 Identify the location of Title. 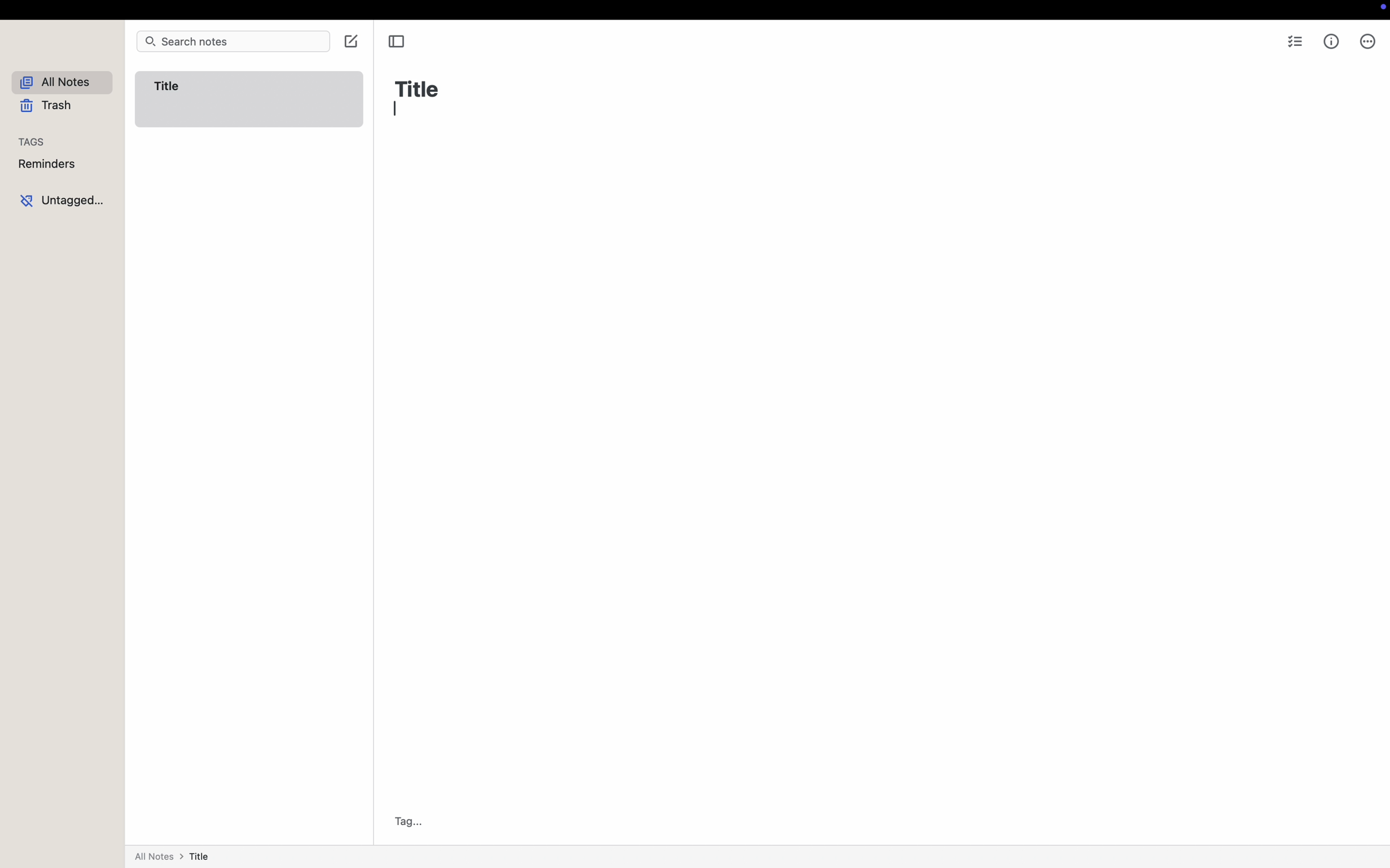
(249, 99).